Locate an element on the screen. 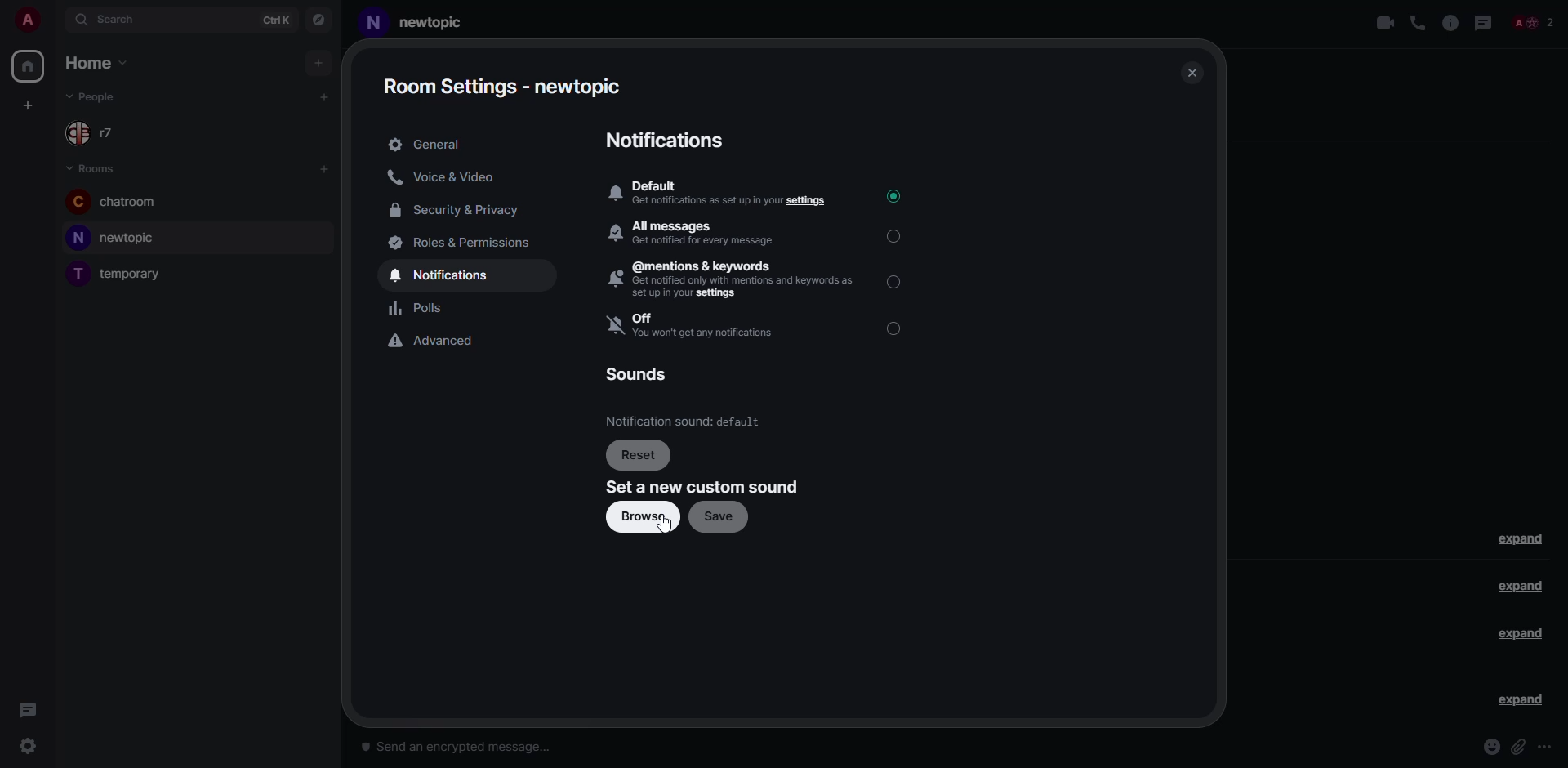  home is located at coordinates (96, 63).